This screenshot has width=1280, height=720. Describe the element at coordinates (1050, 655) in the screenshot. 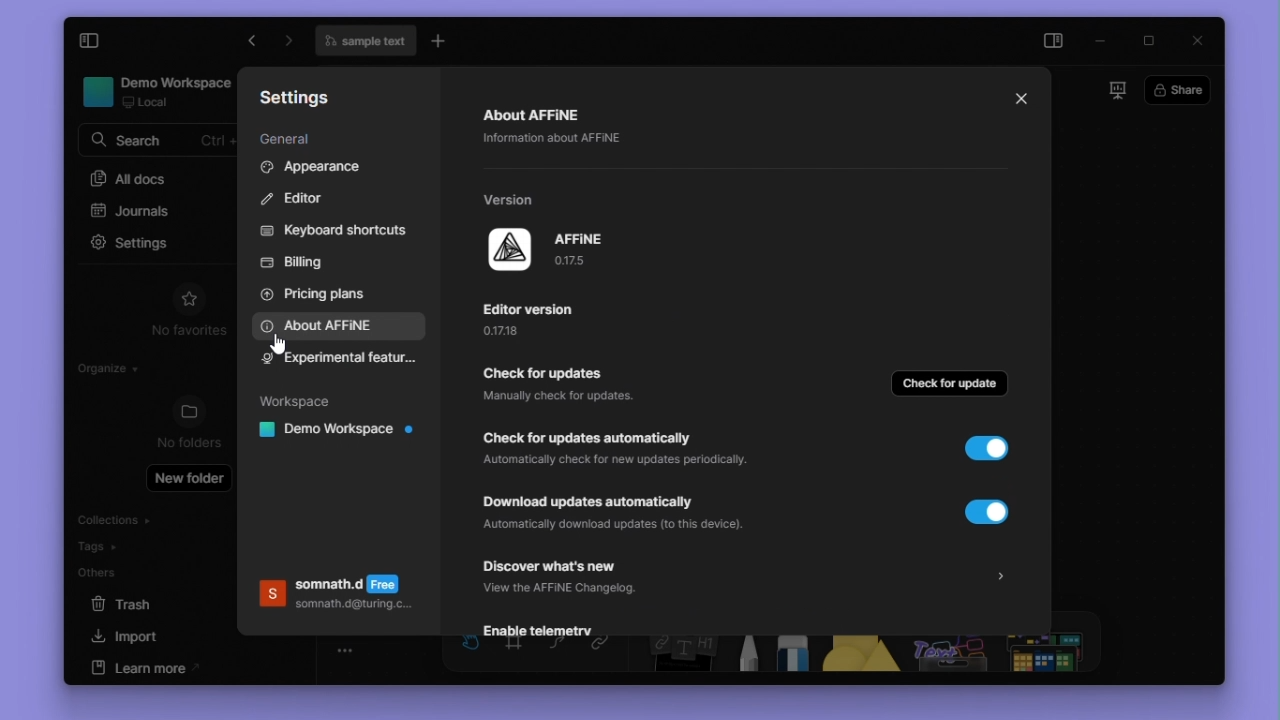

I see `more shapes` at that location.